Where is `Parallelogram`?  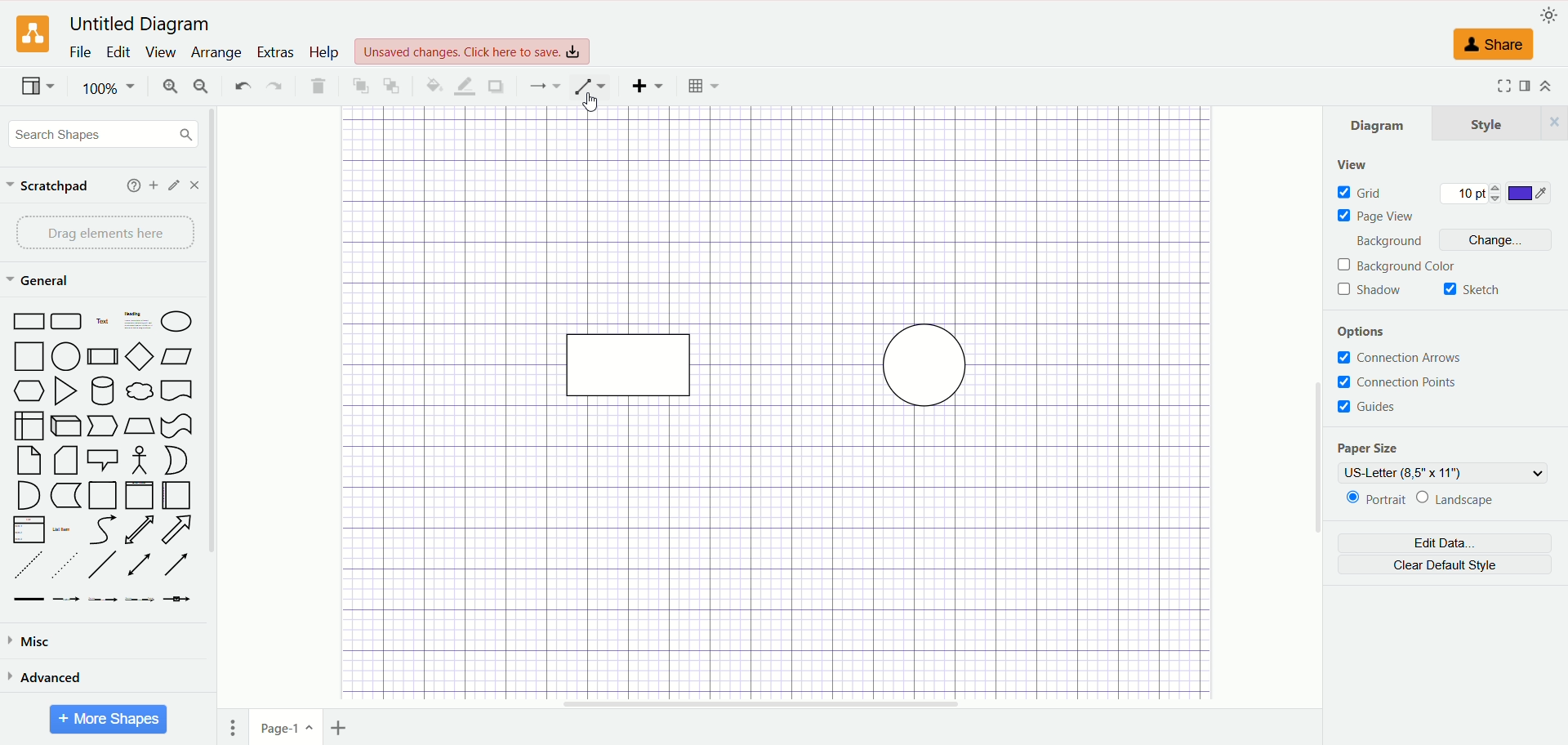
Parallelogram is located at coordinates (176, 356).